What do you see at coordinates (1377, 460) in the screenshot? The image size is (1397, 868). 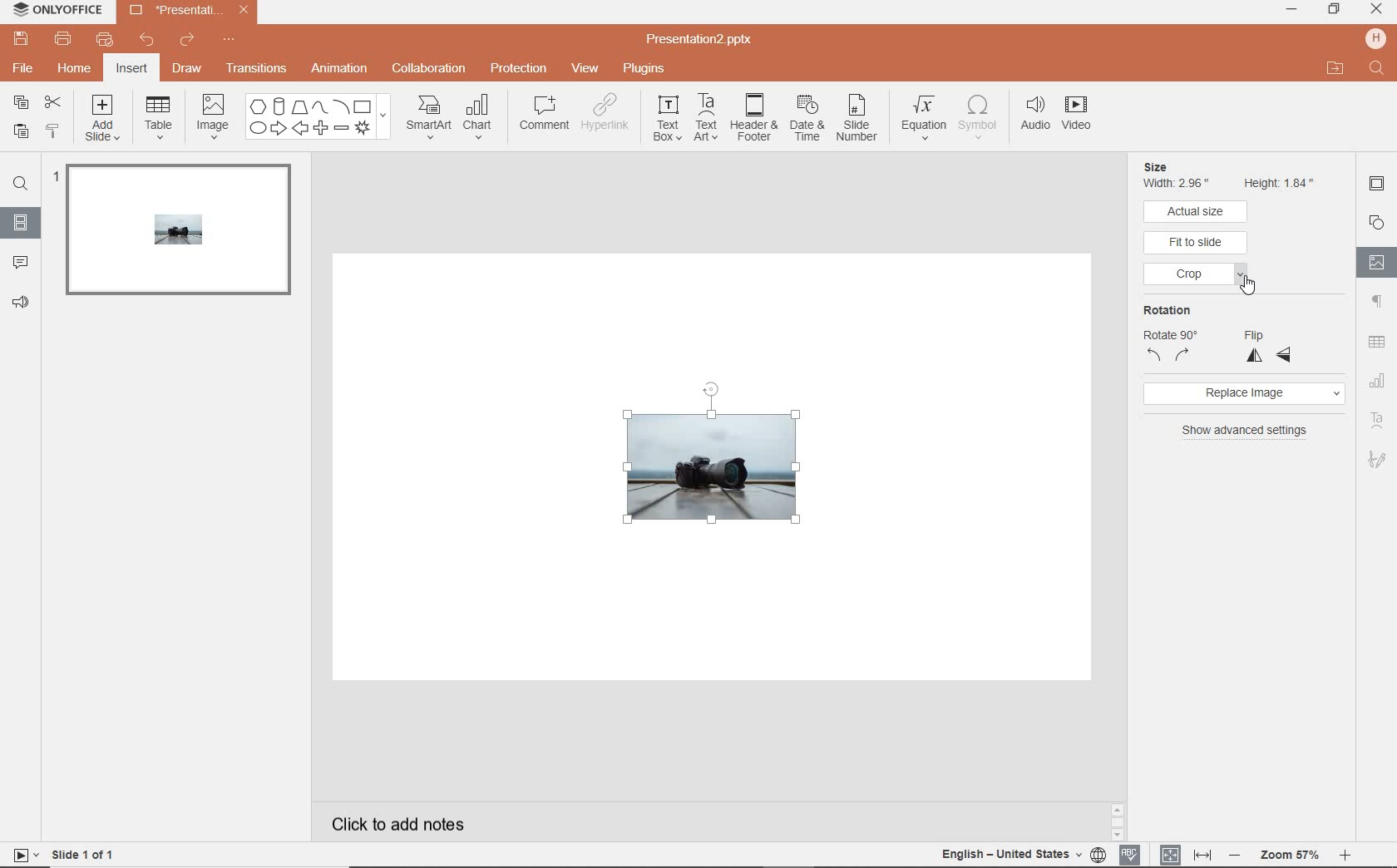 I see `signature` at bounding box center [1377, 460].